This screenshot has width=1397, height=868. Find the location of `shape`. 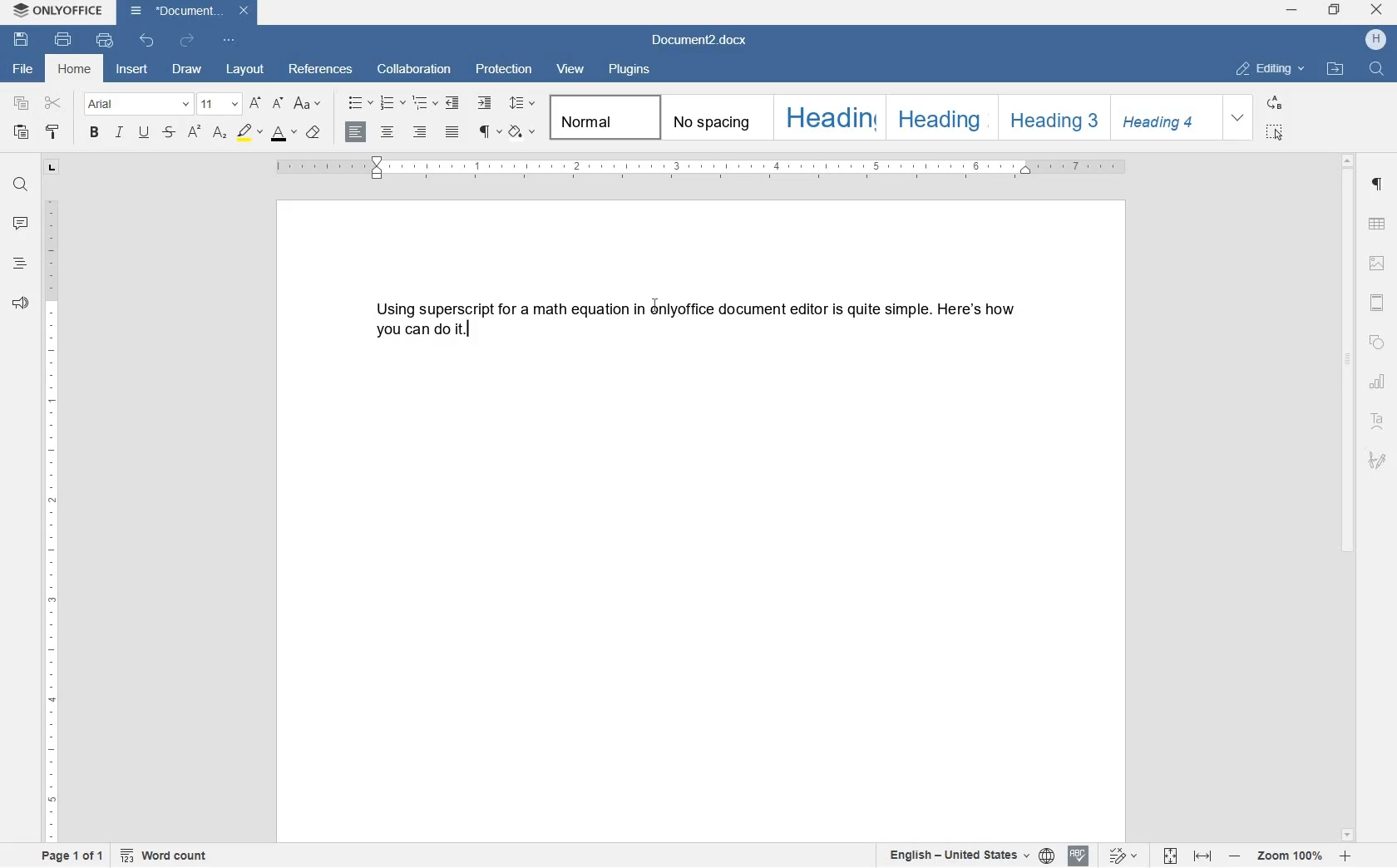

shape is located at coordinates (1376, 344).